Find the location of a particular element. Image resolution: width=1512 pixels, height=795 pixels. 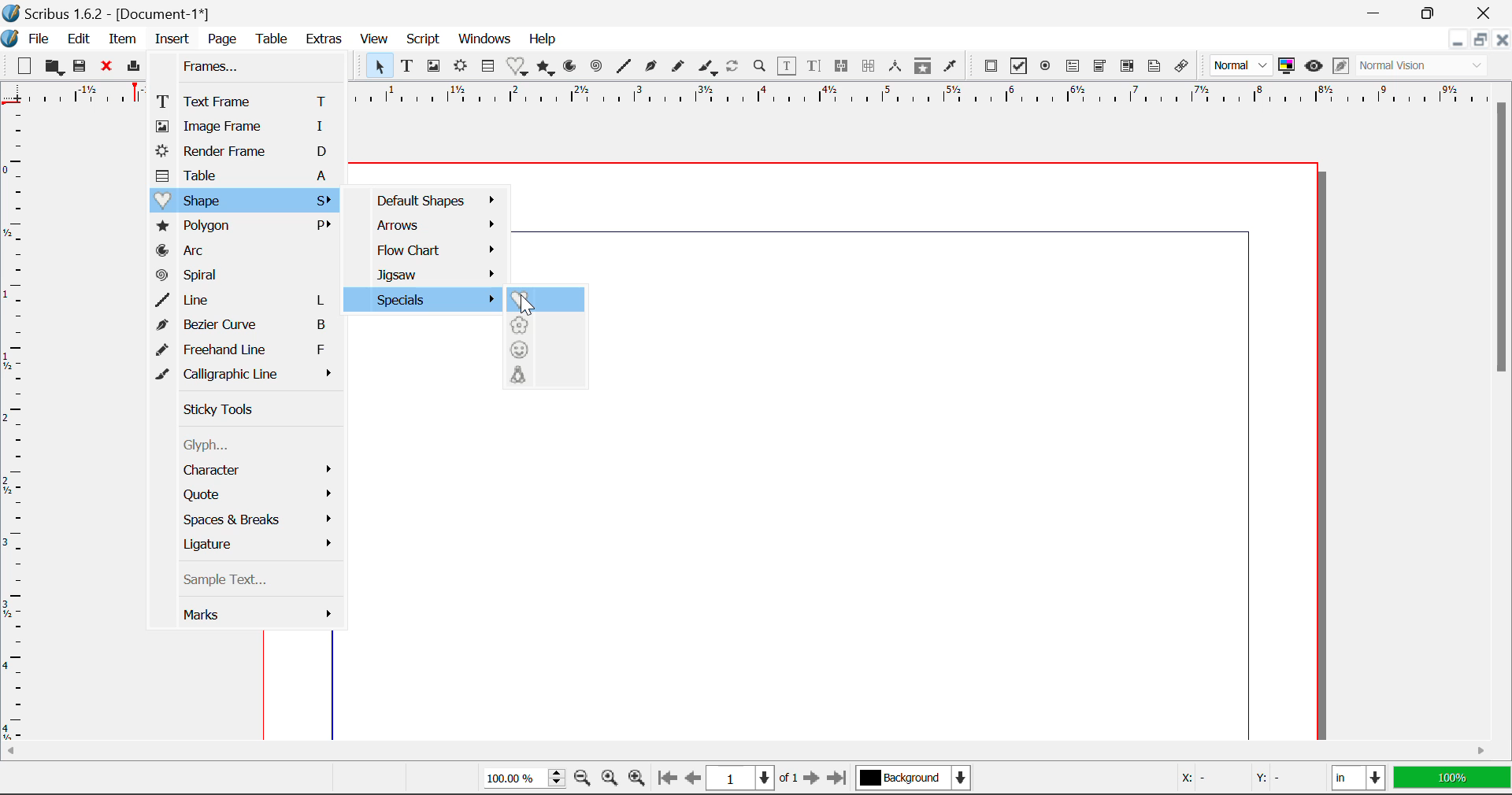

Frames is located at coordinates (241, 67).